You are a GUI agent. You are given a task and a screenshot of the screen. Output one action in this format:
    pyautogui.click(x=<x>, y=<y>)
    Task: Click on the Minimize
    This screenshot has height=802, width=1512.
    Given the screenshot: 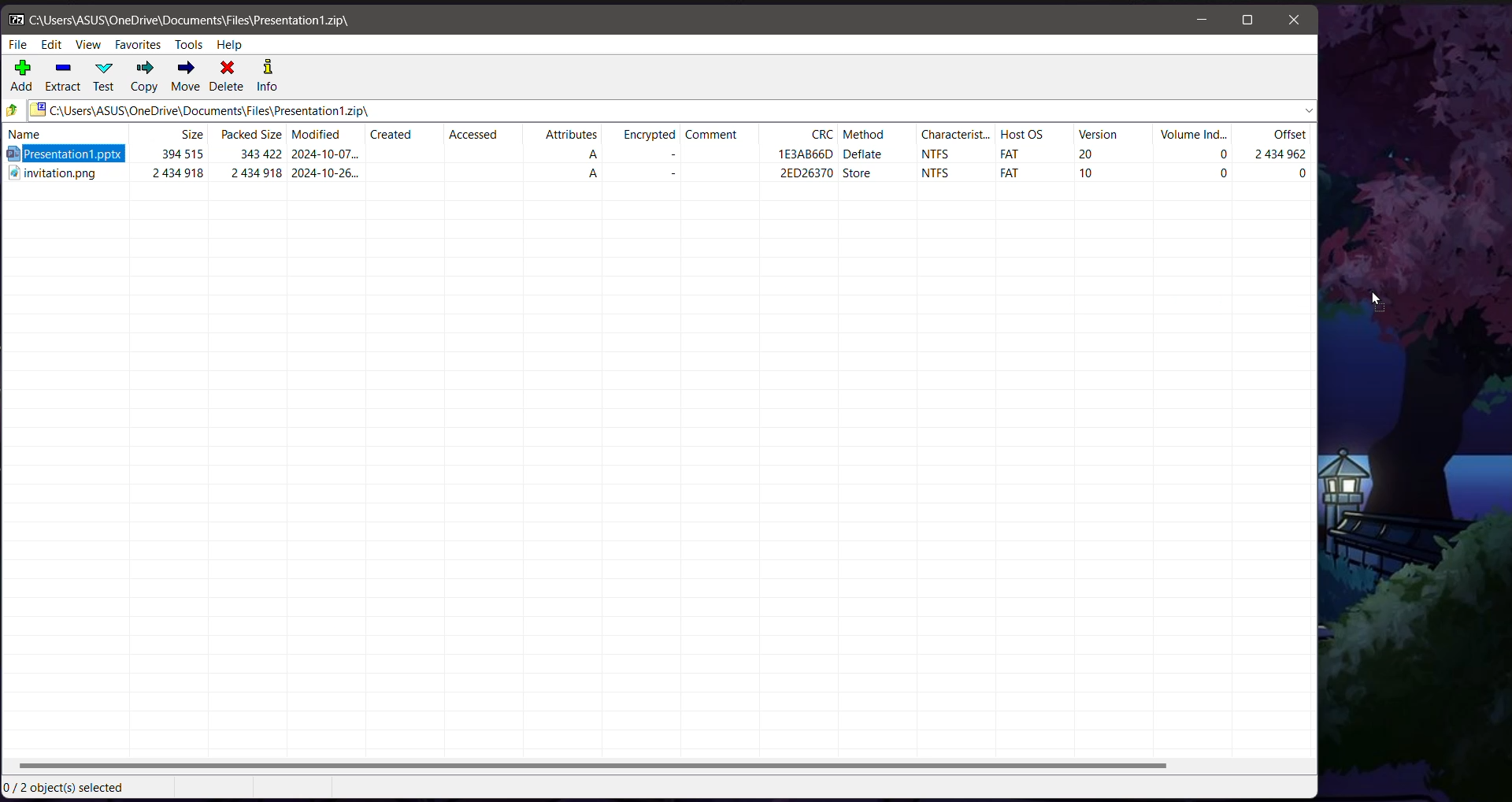 What is the action you would take?
    pyautogui.click(x=1205, y=20)
    